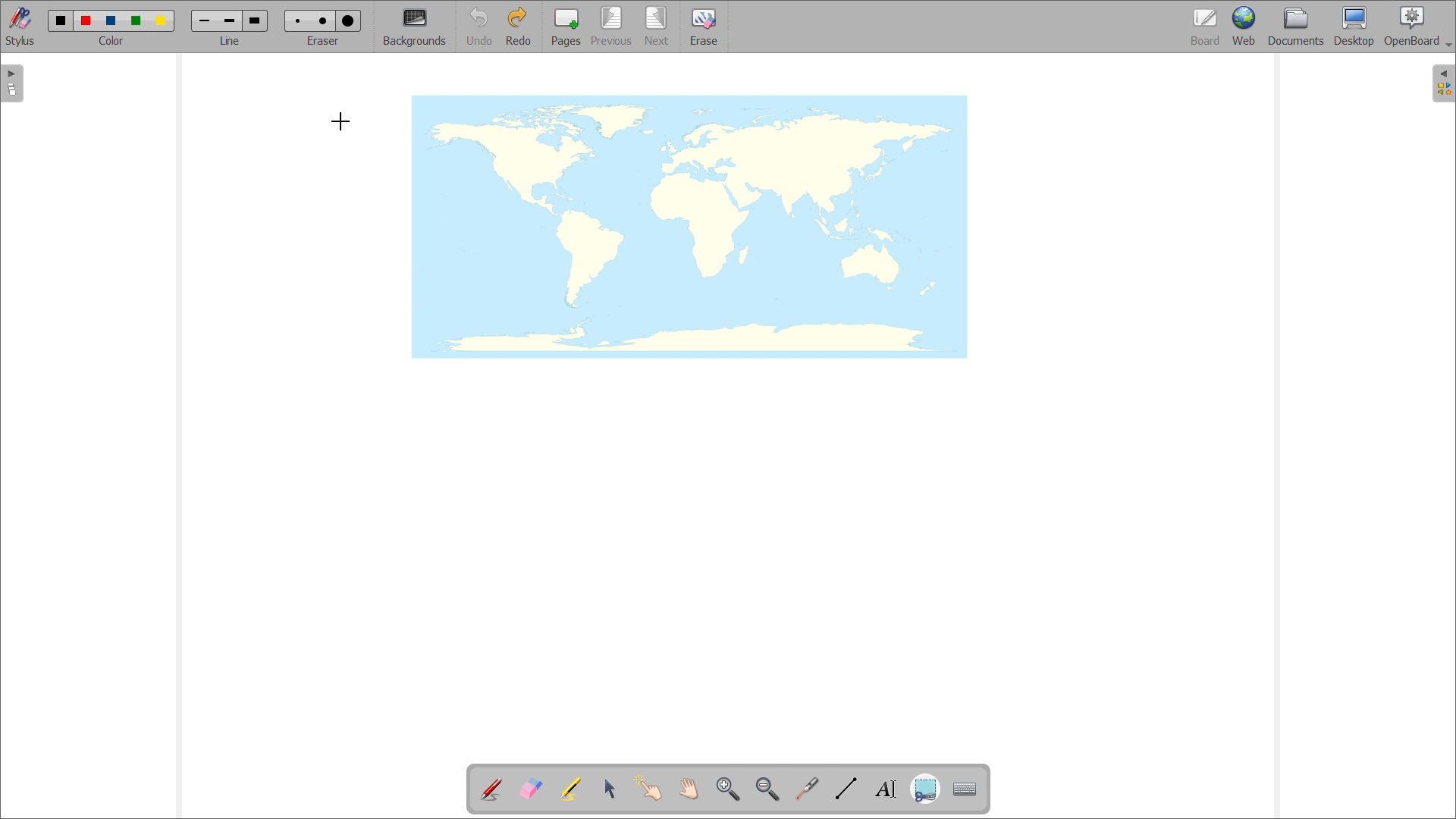 Image resolution: width=1456 pixels, height=819 pixels. What do you see at coordinates (611, 26) in the screenshot?
I see `previous page` at bounding box center [611, 26].